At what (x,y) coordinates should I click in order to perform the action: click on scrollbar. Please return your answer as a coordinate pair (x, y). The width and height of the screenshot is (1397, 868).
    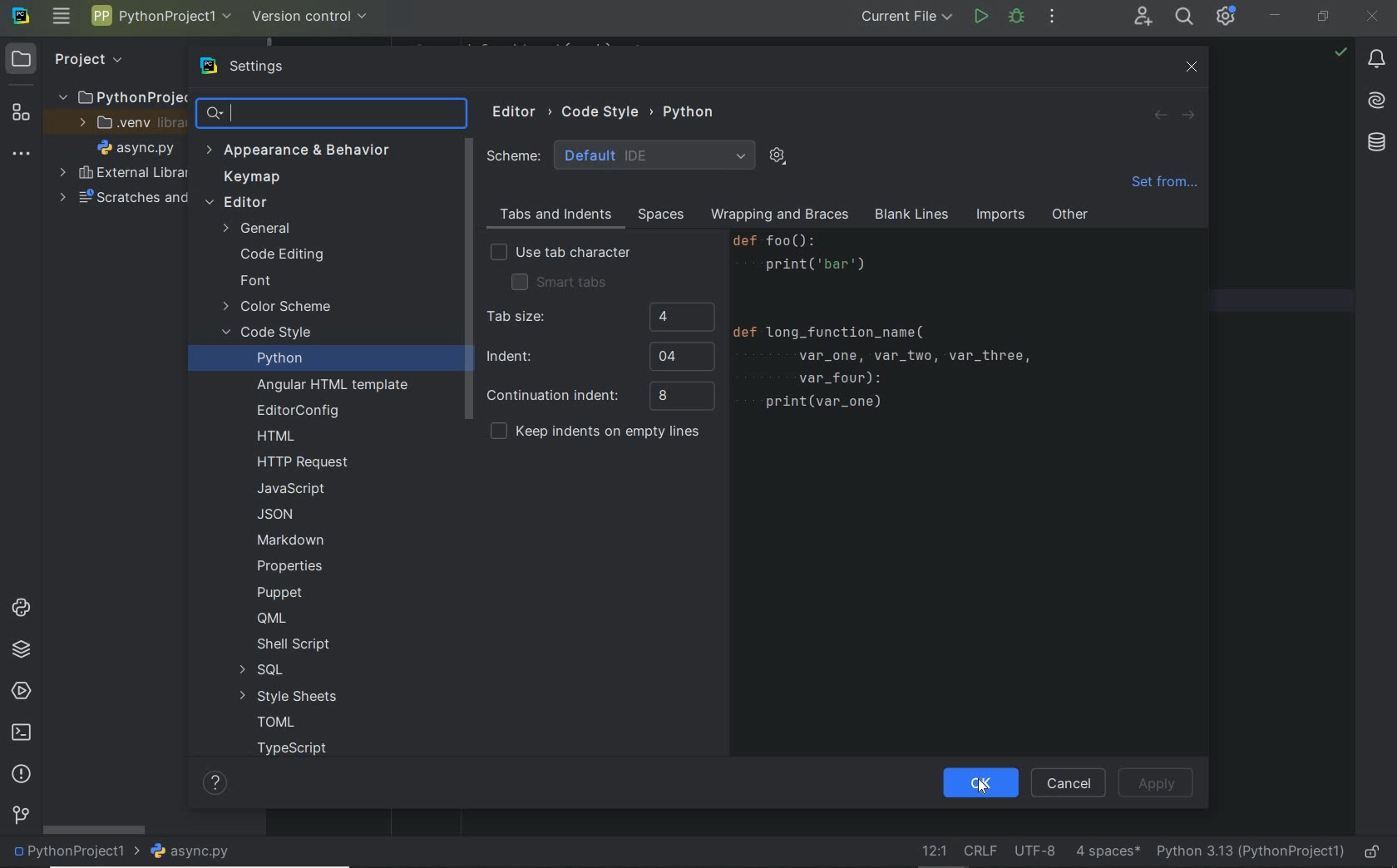
    Looking at the image, I should click on (96, 830).